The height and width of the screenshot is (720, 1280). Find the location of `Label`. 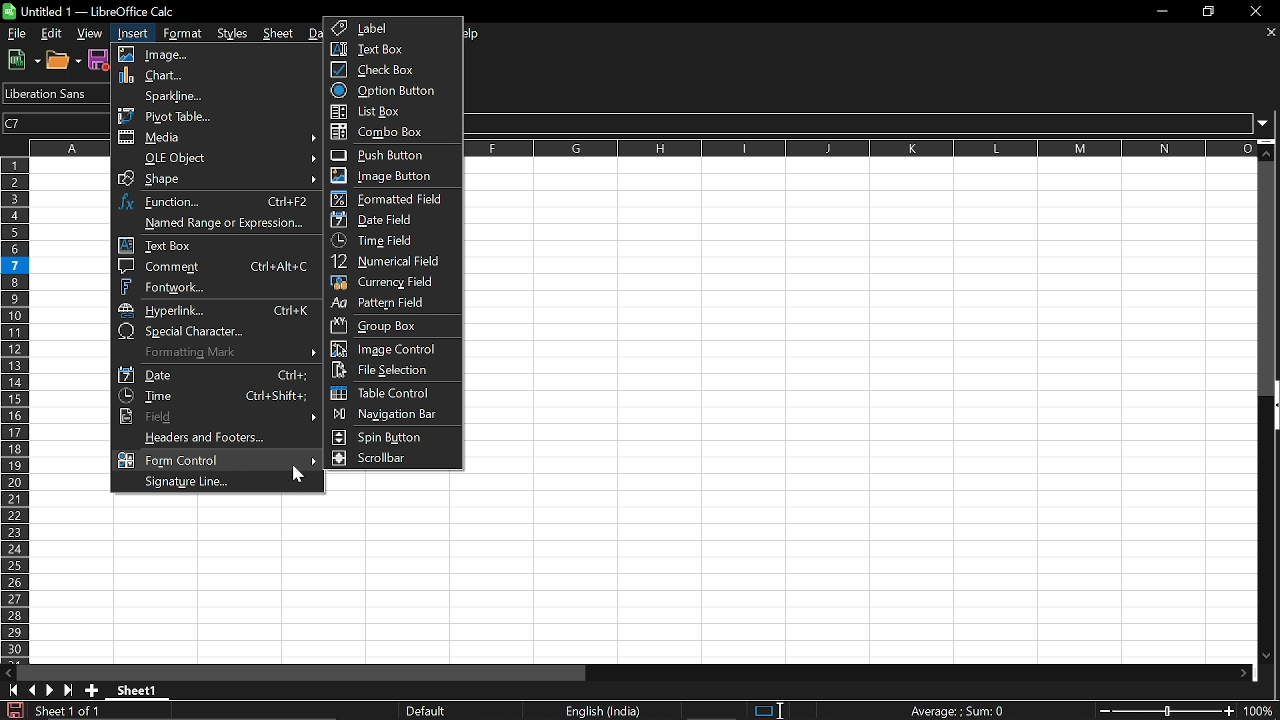

Label is located at coordinates (394, 28).